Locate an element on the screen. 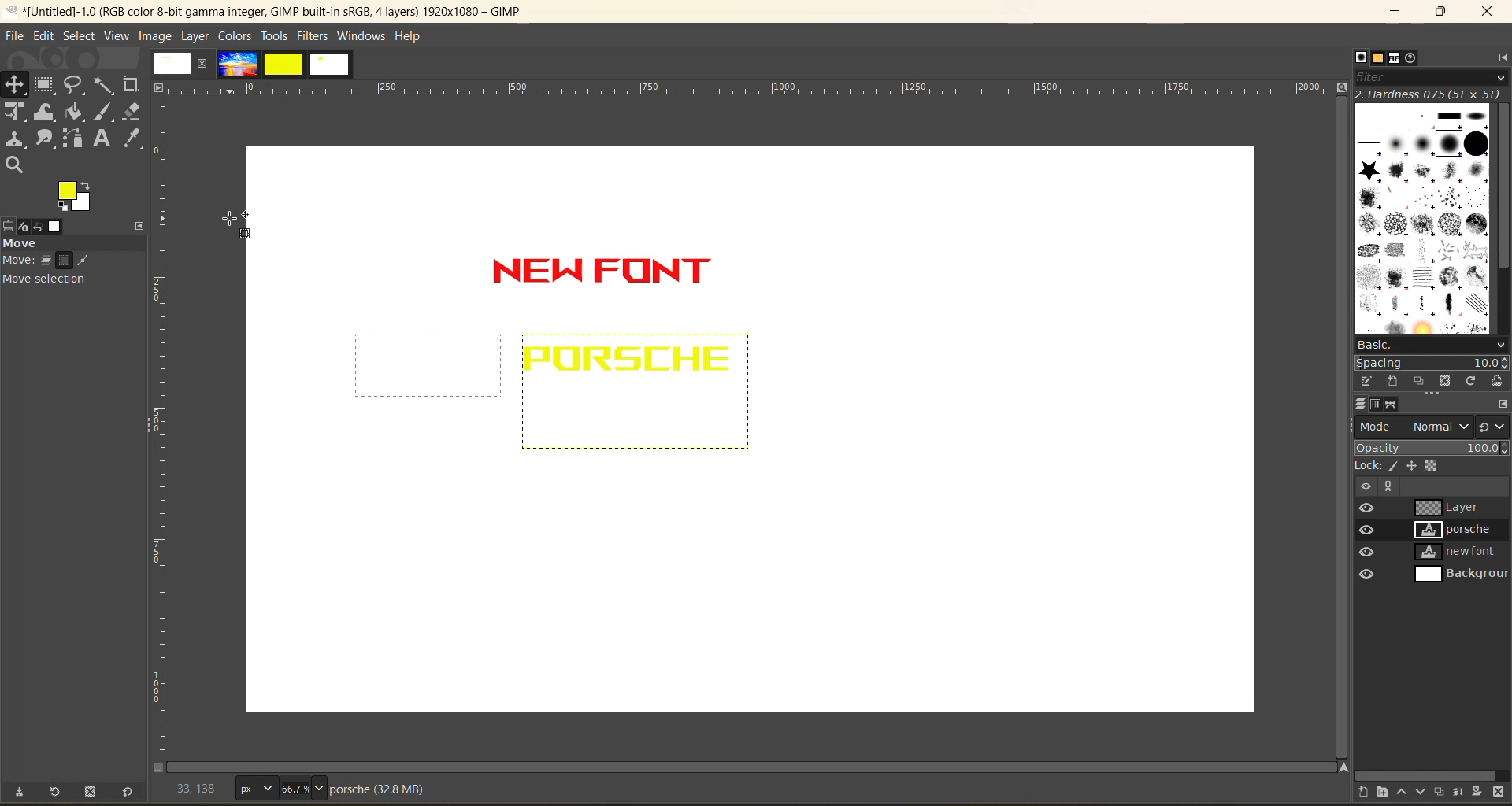  vertical scroll bar is located at coordinates (1503, 186).